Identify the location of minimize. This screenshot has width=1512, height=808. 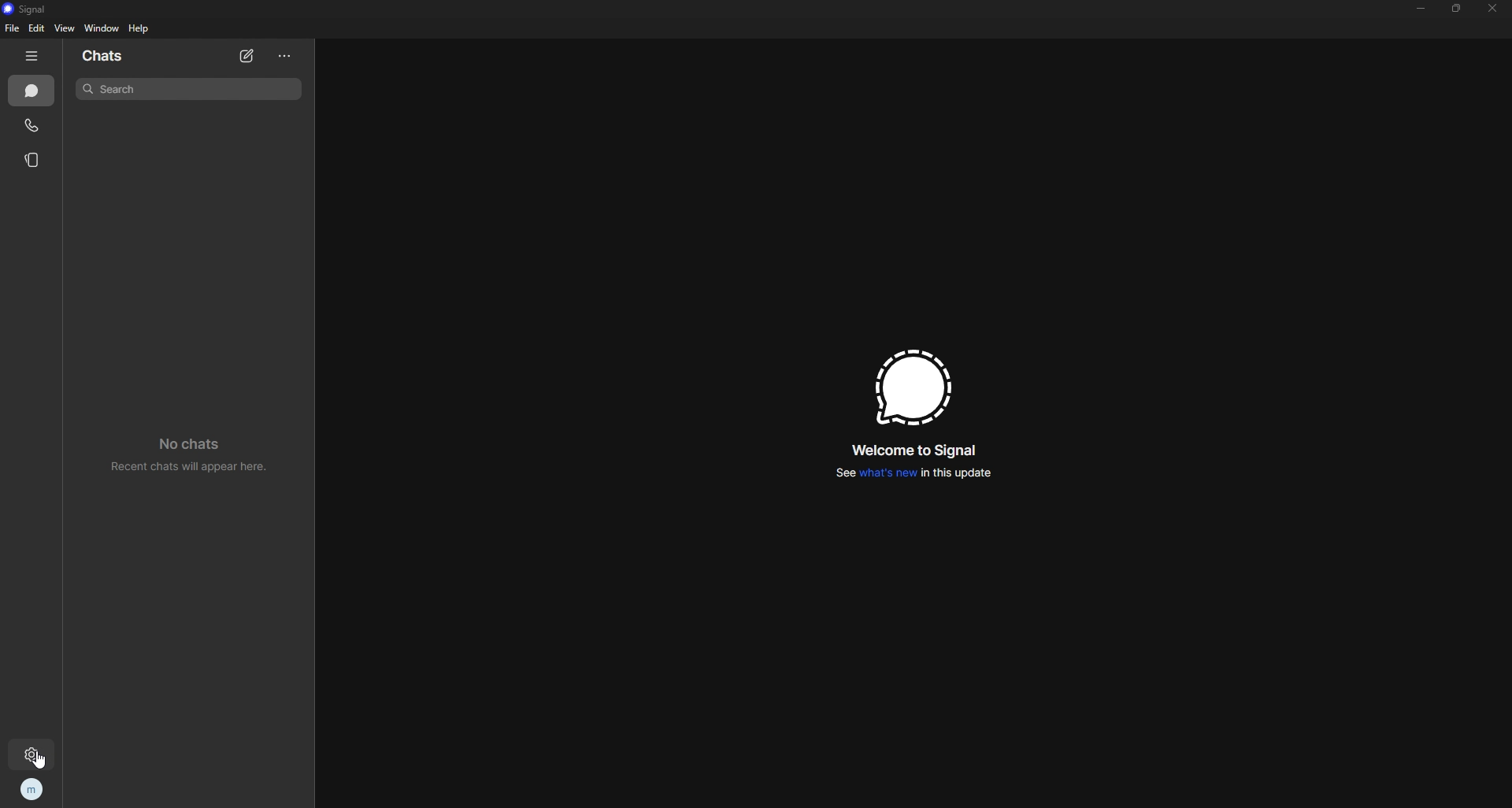
(1422, 8).